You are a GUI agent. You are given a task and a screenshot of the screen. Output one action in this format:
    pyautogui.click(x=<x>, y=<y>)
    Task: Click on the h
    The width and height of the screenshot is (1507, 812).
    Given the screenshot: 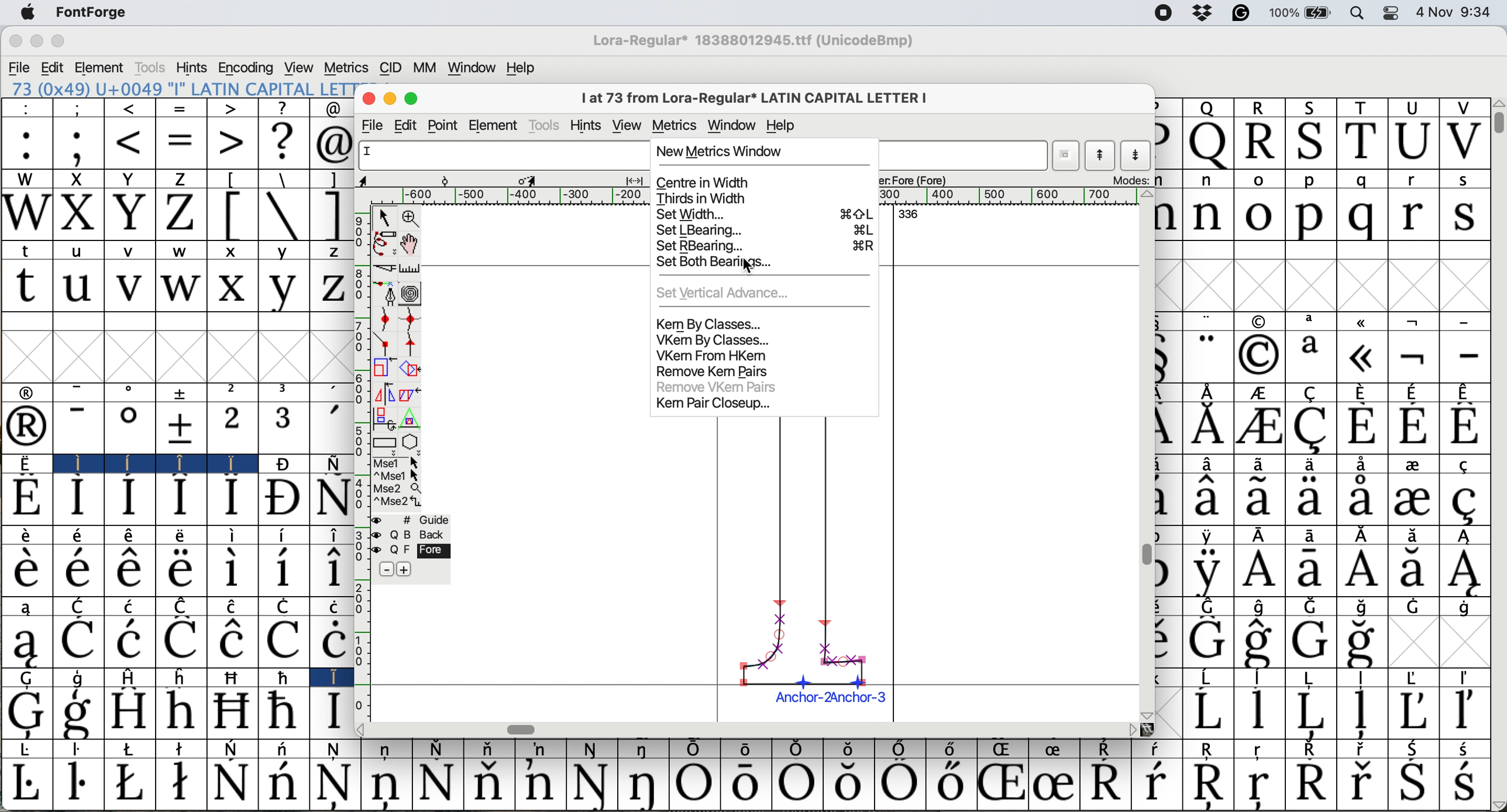 What is the action you would take?
    pyautogui.click(x=184, y=677)
    